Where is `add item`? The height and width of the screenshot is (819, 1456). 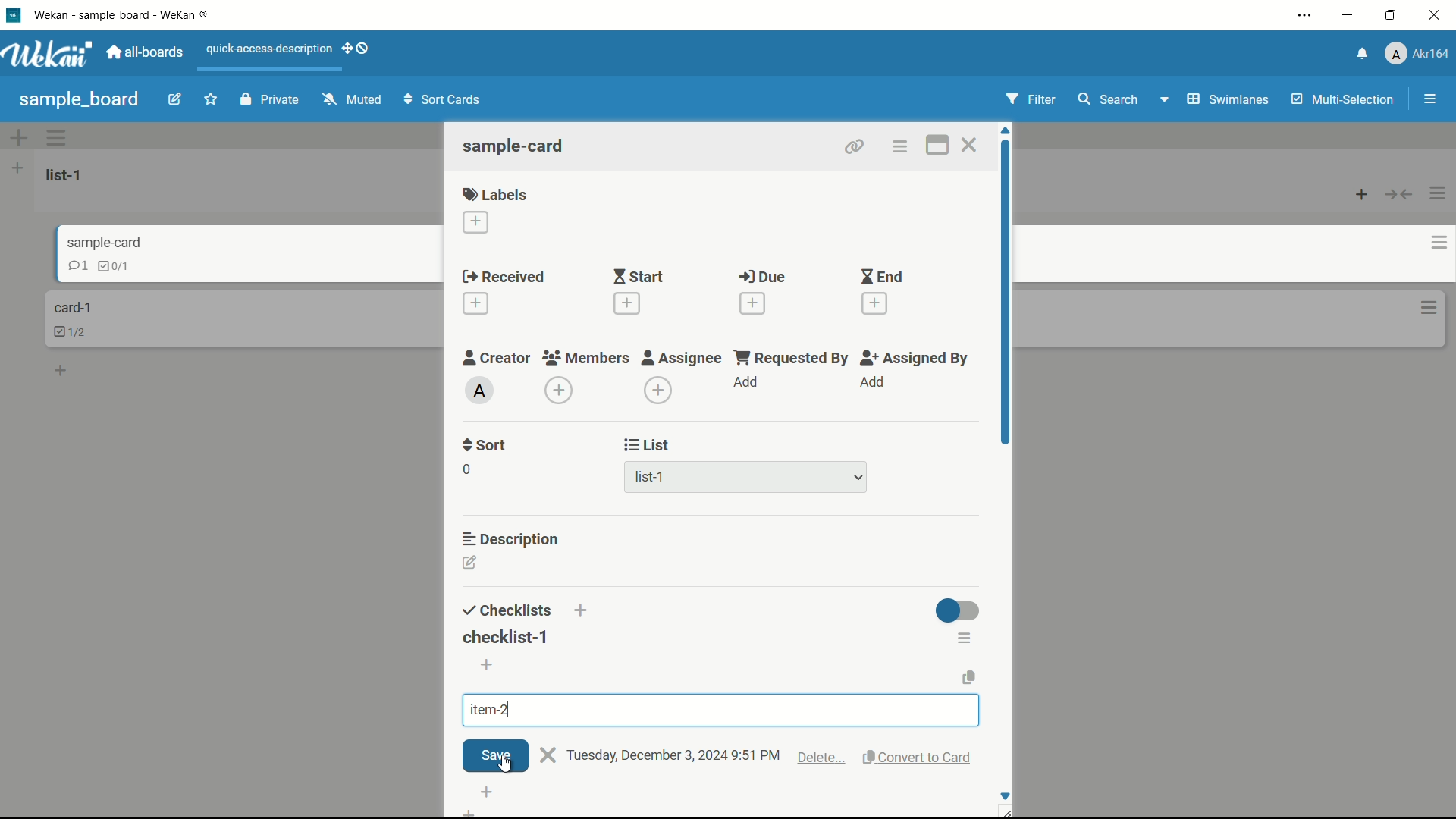 add item is located at coordinates (488, 665).